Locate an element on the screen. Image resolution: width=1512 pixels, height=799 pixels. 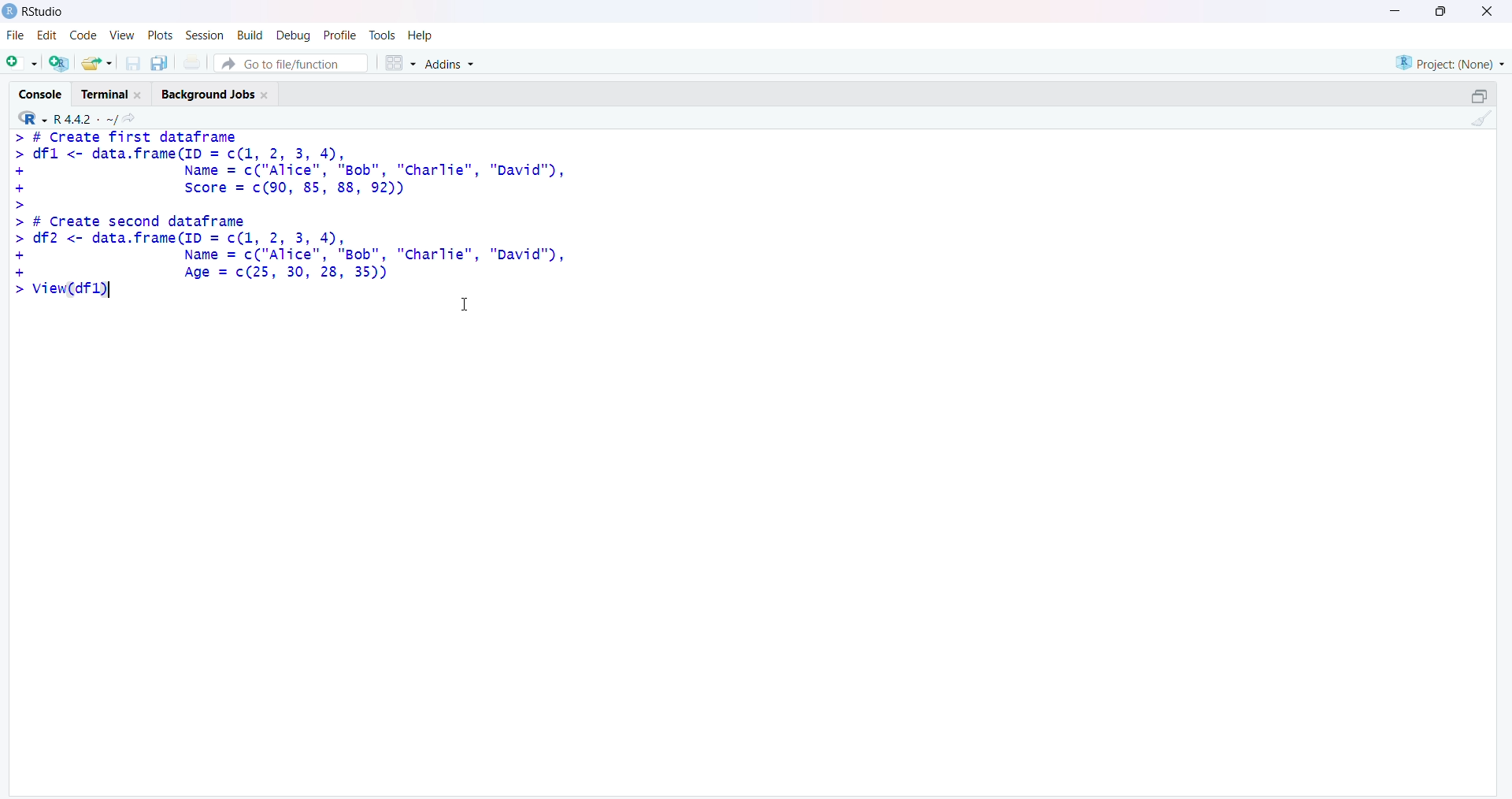
build is located at coordinates (252, 36).